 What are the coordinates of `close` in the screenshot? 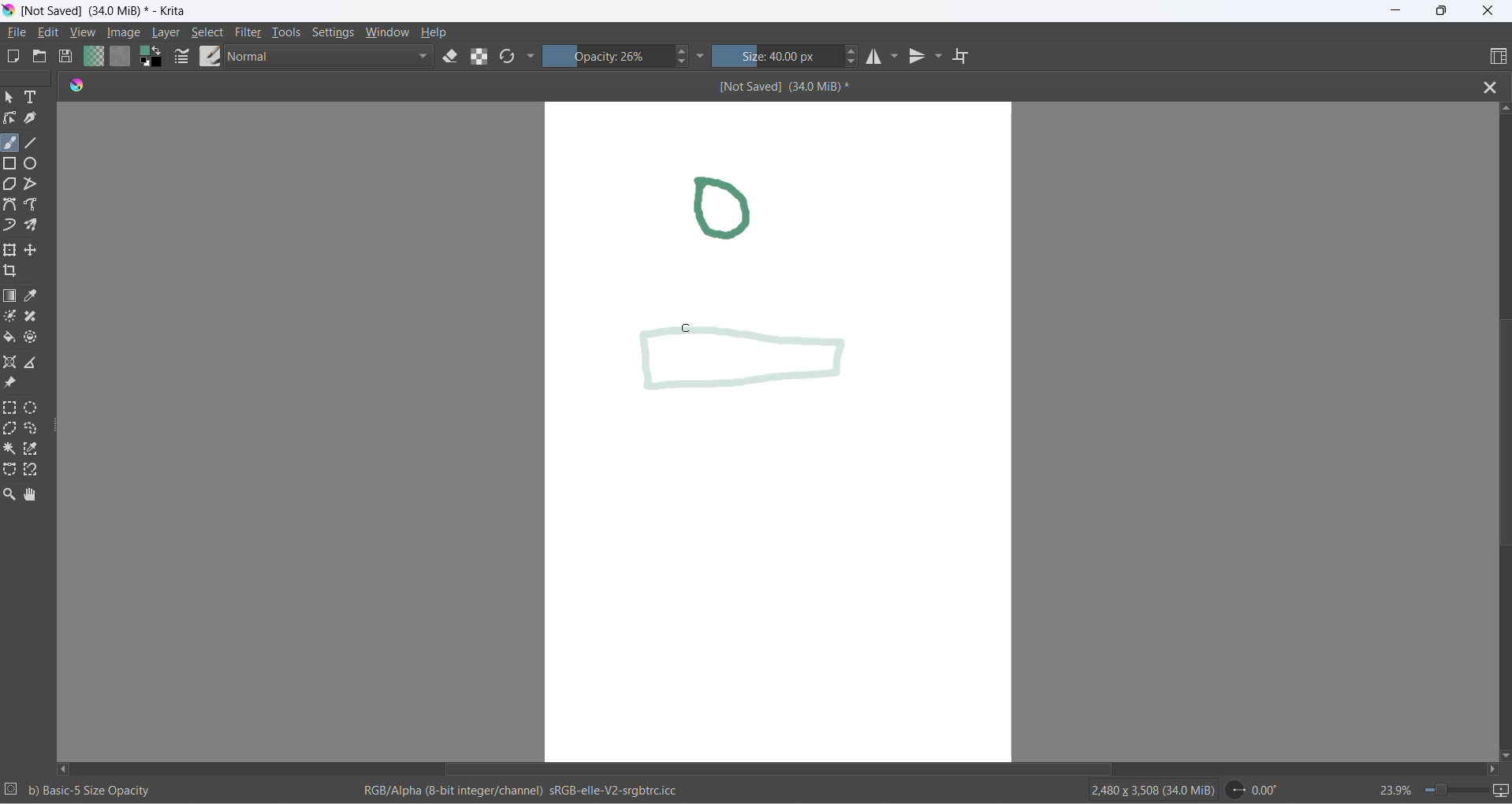 It's located at (1488, 13).